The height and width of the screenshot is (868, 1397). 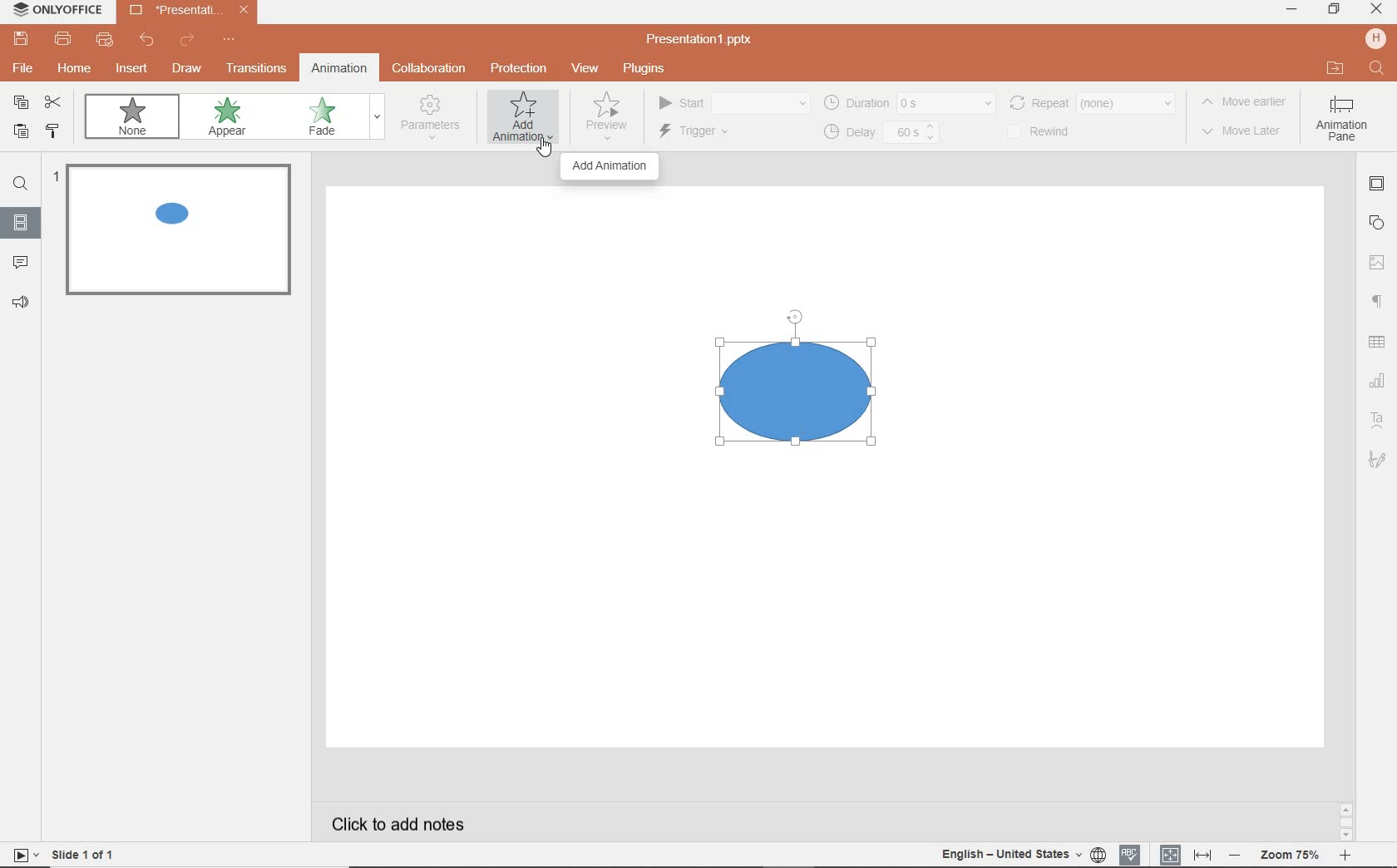 I want to click on protection, so click(x=517, y=67).